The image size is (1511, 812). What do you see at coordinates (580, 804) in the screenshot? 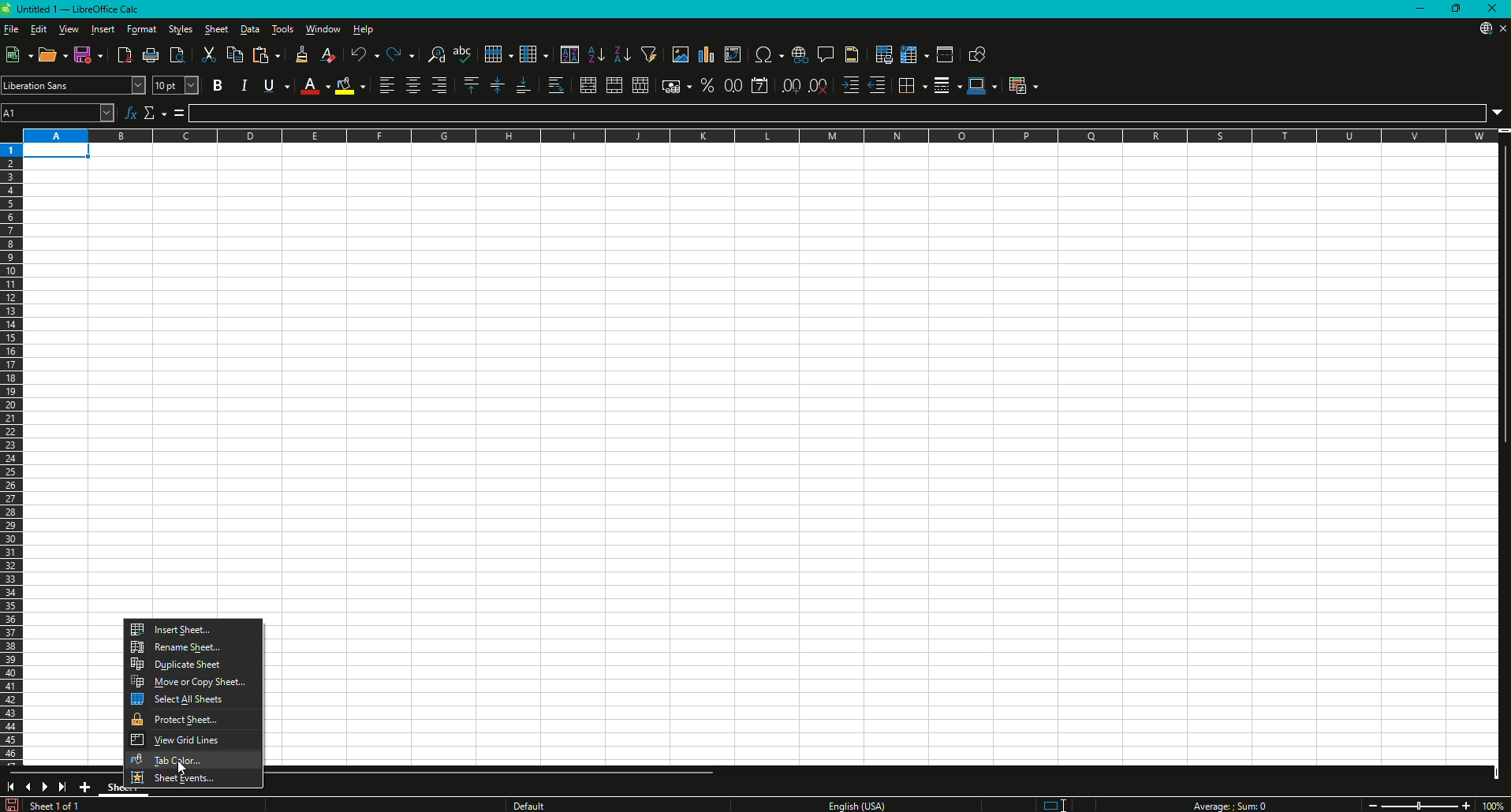
I see `Text` at bounding box center [580, 804].